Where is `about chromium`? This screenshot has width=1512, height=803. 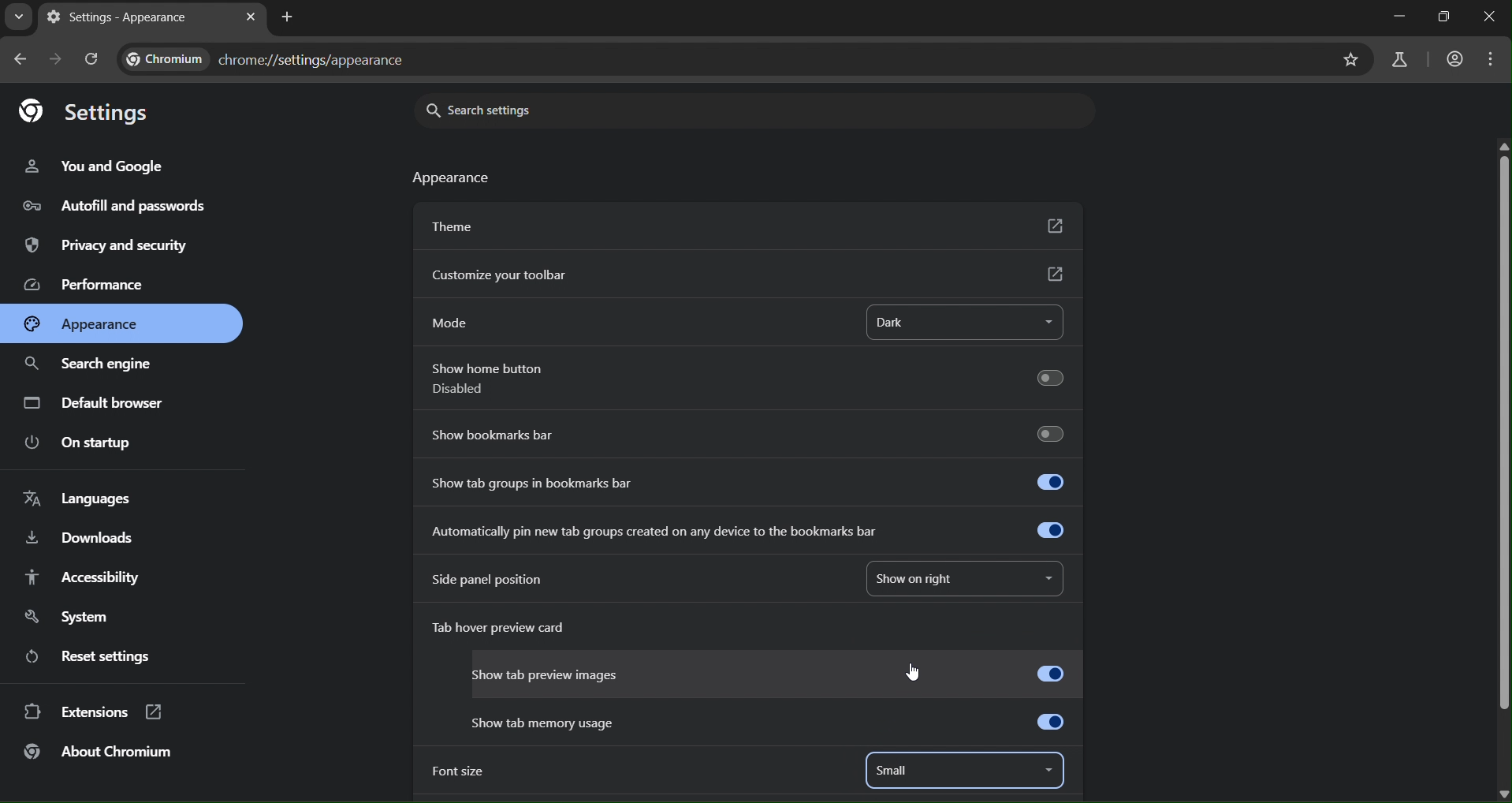
about chromium is located at coordinates (102, 752).